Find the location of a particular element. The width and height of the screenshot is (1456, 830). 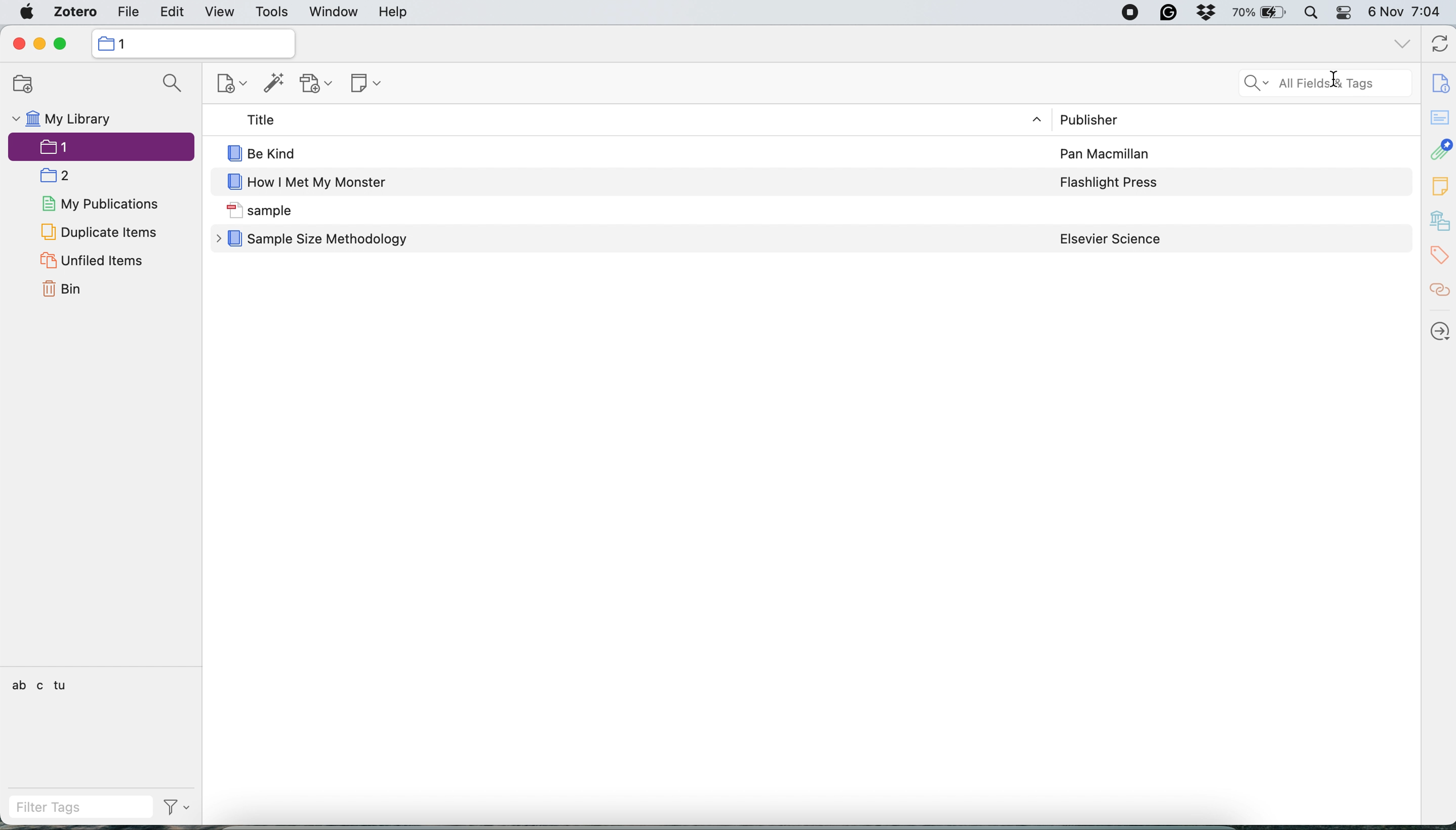

view is located at coordinates (221, 11).